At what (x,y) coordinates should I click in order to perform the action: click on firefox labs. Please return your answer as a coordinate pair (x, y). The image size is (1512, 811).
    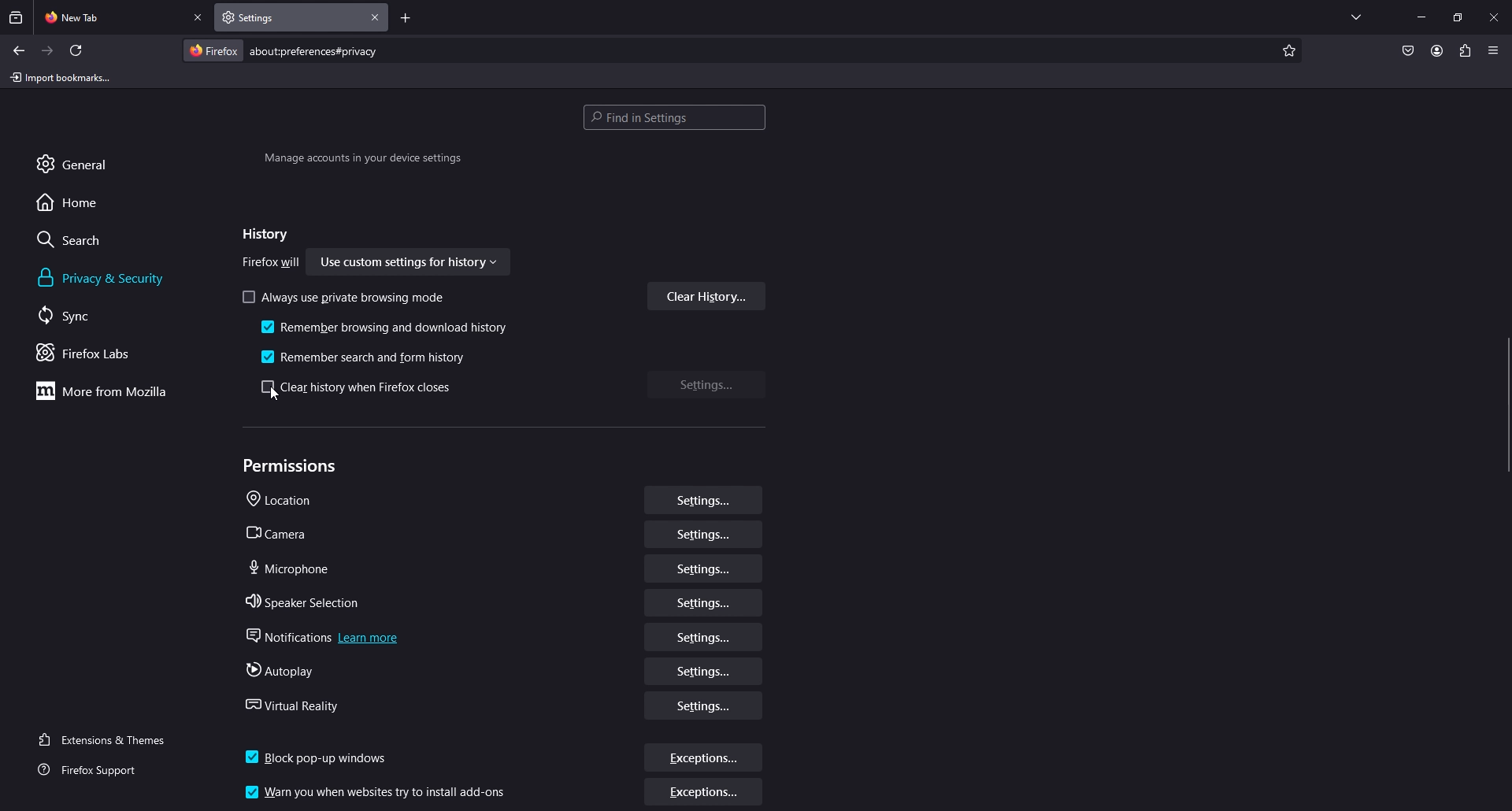
    Looking at the image, I should click on (106, 353).